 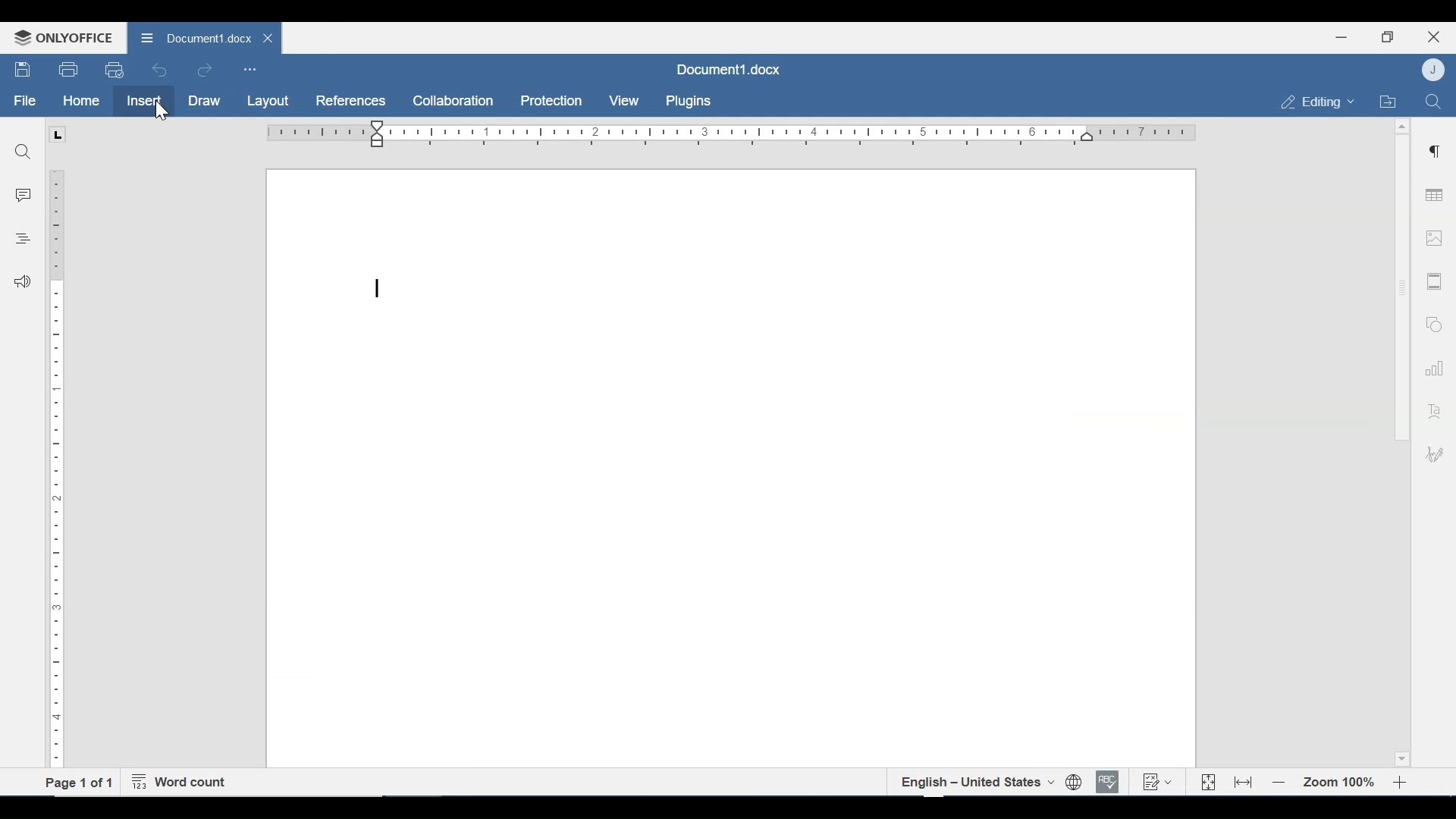 I want to click on Collaboration, so click(x=454, y=101).